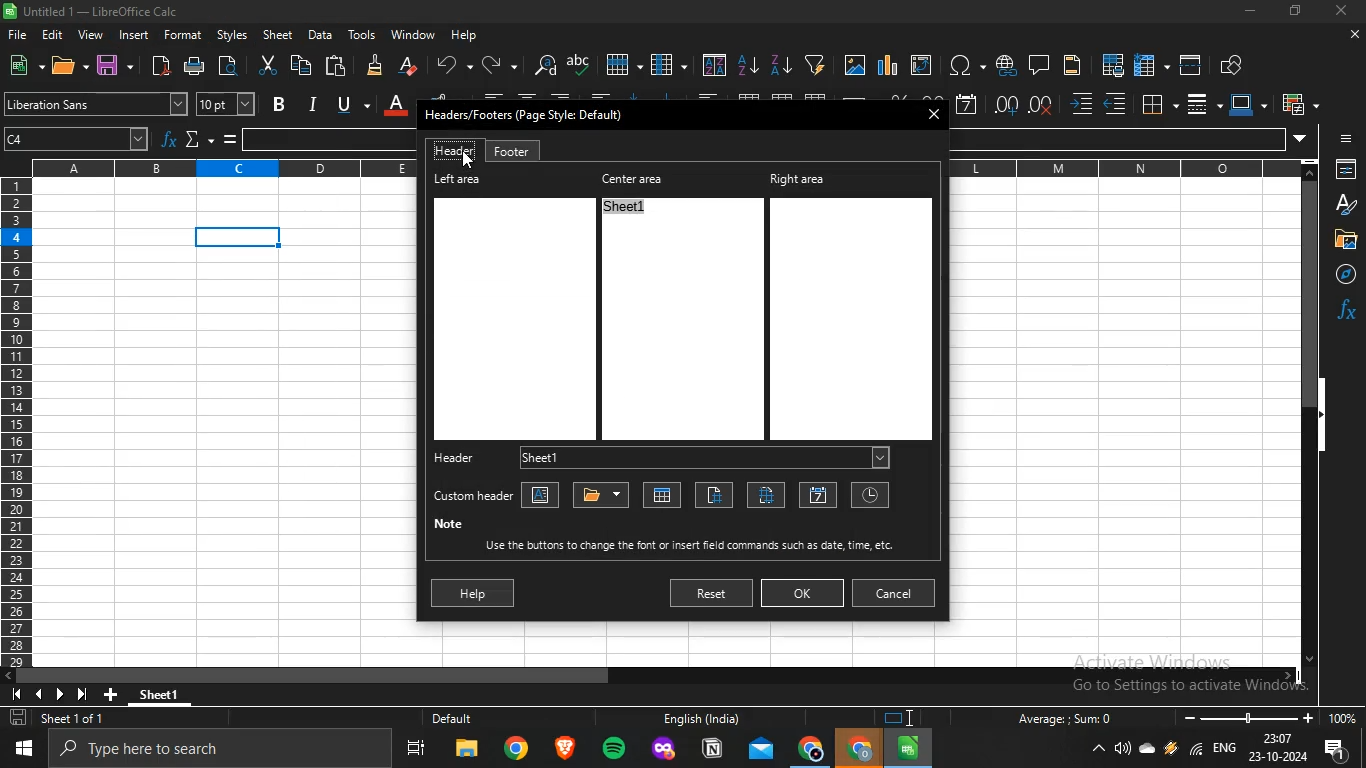 The height and width of the screenshot is (768, 1366). What do you see at coordinates (94, 11) in the screenshot?
I see `Untitled 1 — LibreOffice Calc` at bounding box center [94, 11].